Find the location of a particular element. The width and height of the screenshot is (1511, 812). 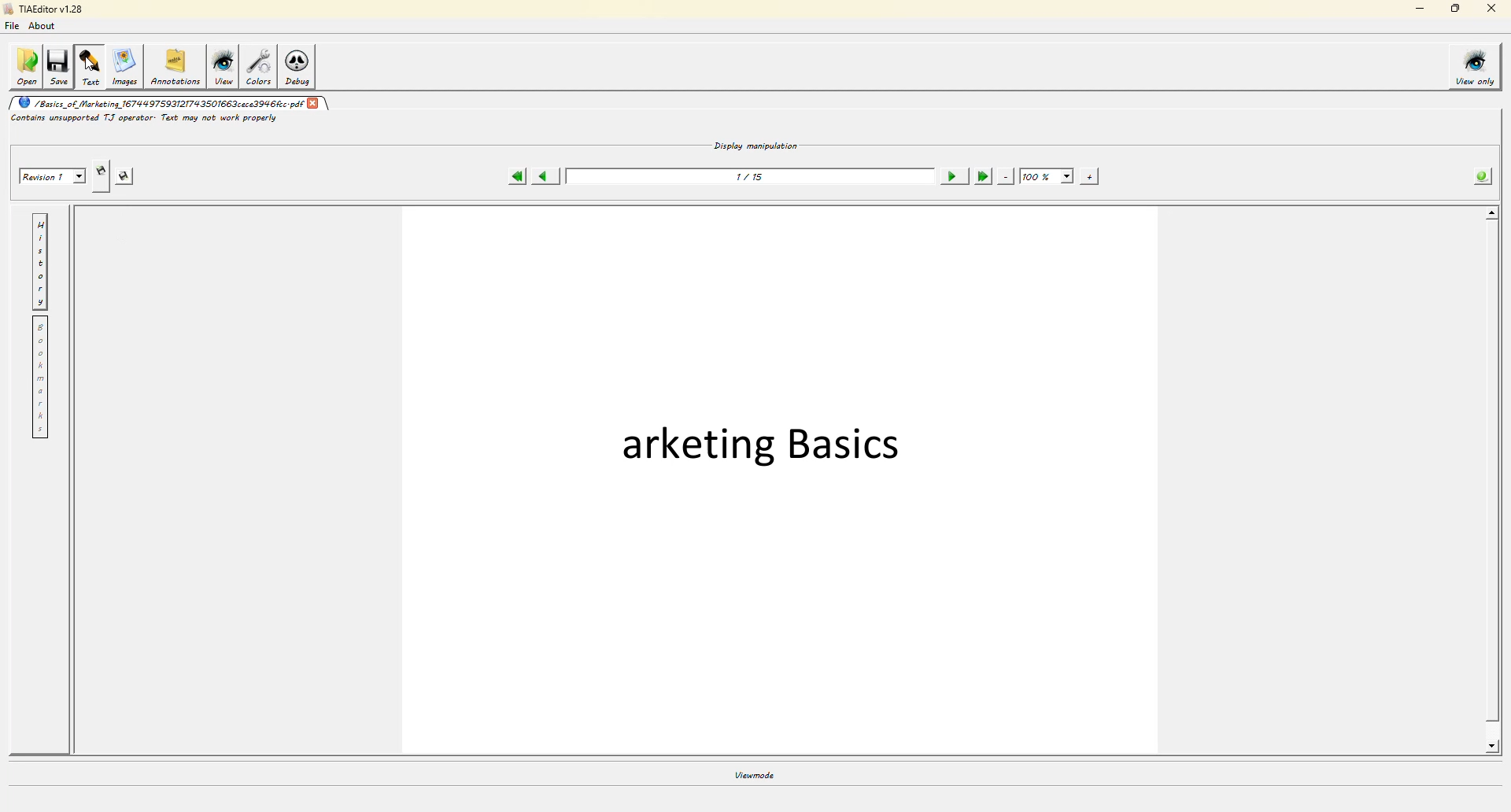

text is located at coordinates (91, 66).